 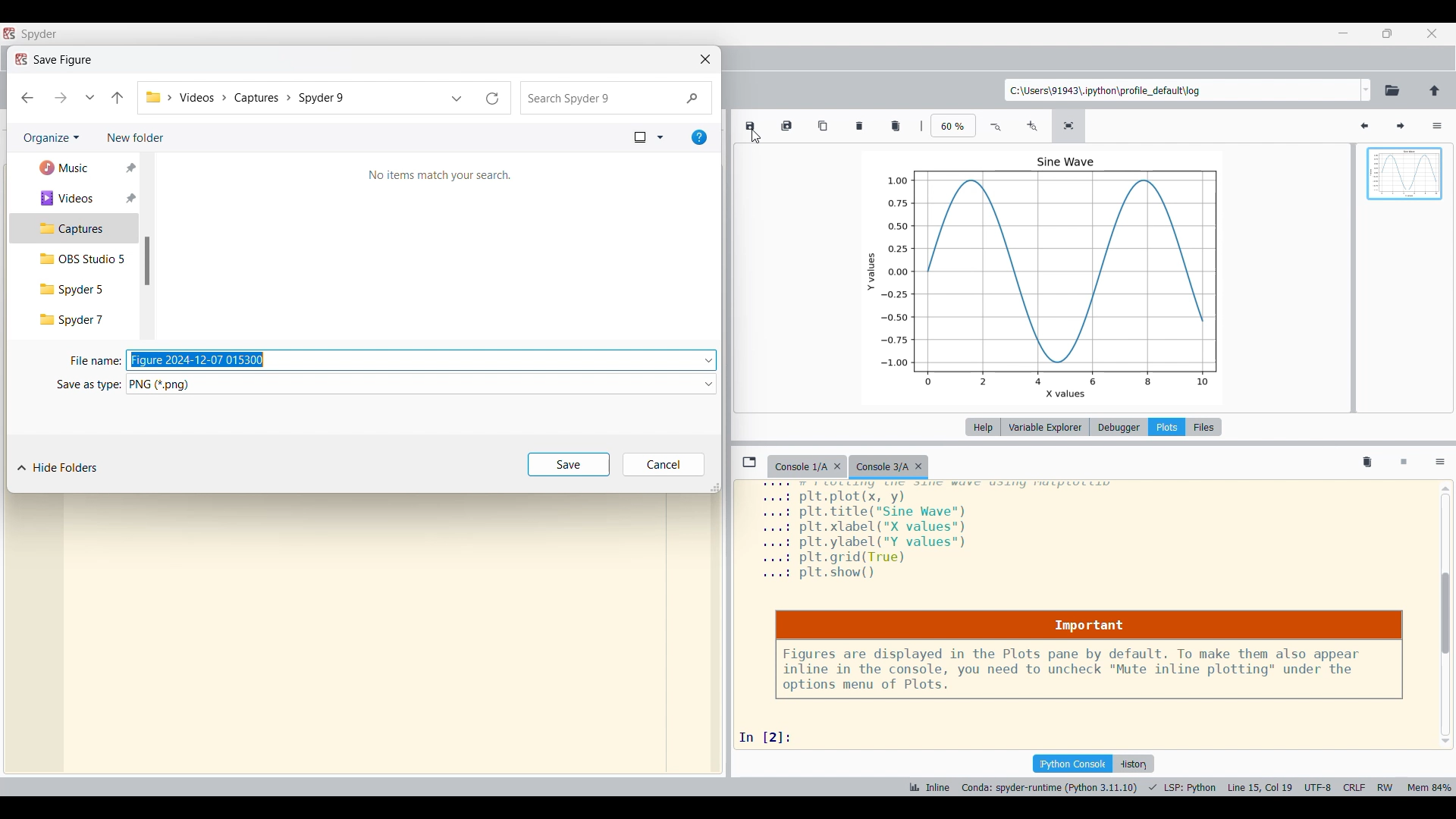 What do you see at coordinates (89, 385) in the screenshot?
I see `Indicates save as type` at bounding box center [89, 385].